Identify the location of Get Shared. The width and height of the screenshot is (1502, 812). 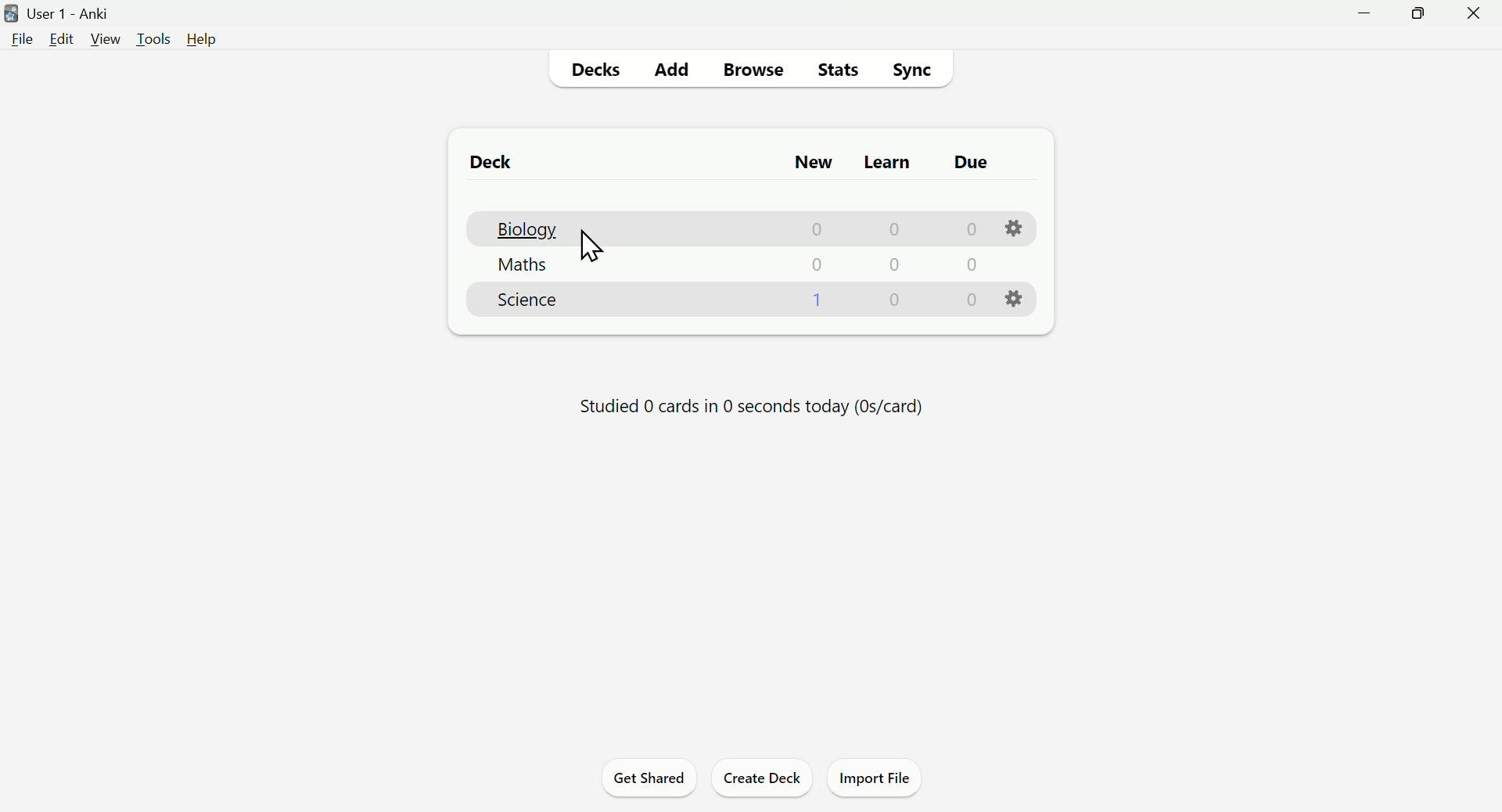
(643, 781).